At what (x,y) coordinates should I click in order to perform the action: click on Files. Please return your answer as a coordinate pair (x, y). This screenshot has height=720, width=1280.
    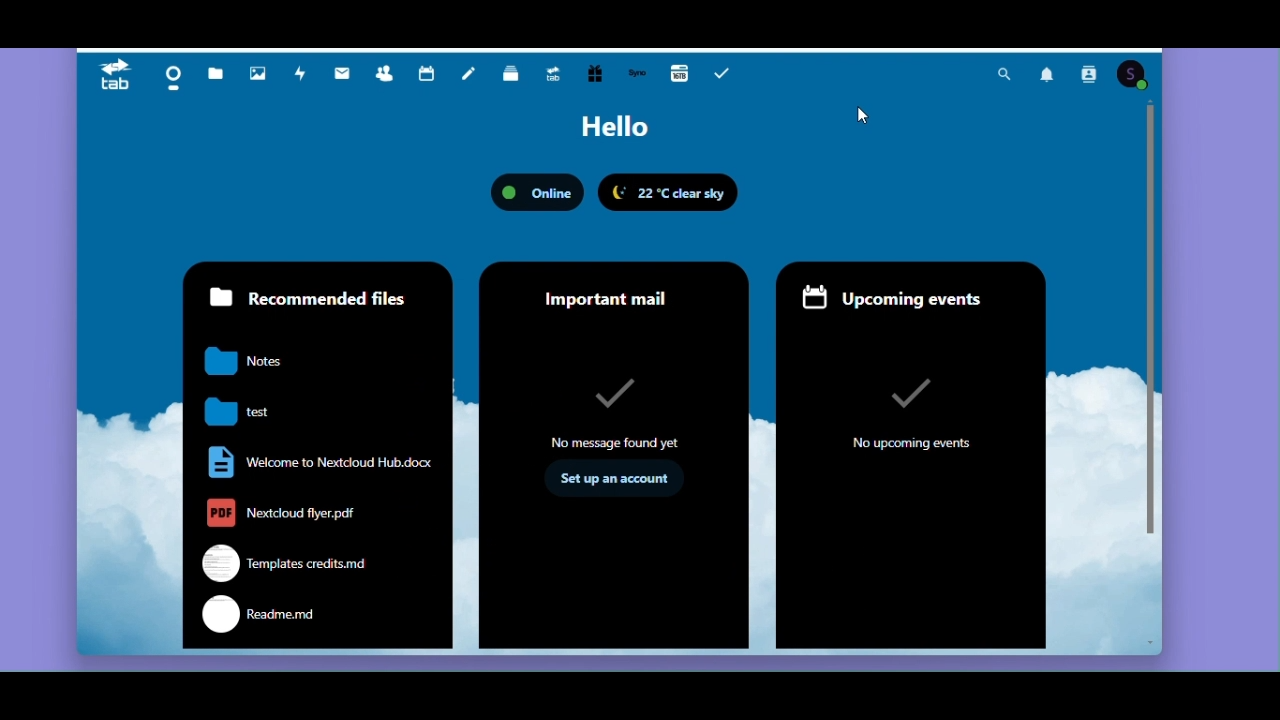
    Looking at the image, I should click on (215, 68).